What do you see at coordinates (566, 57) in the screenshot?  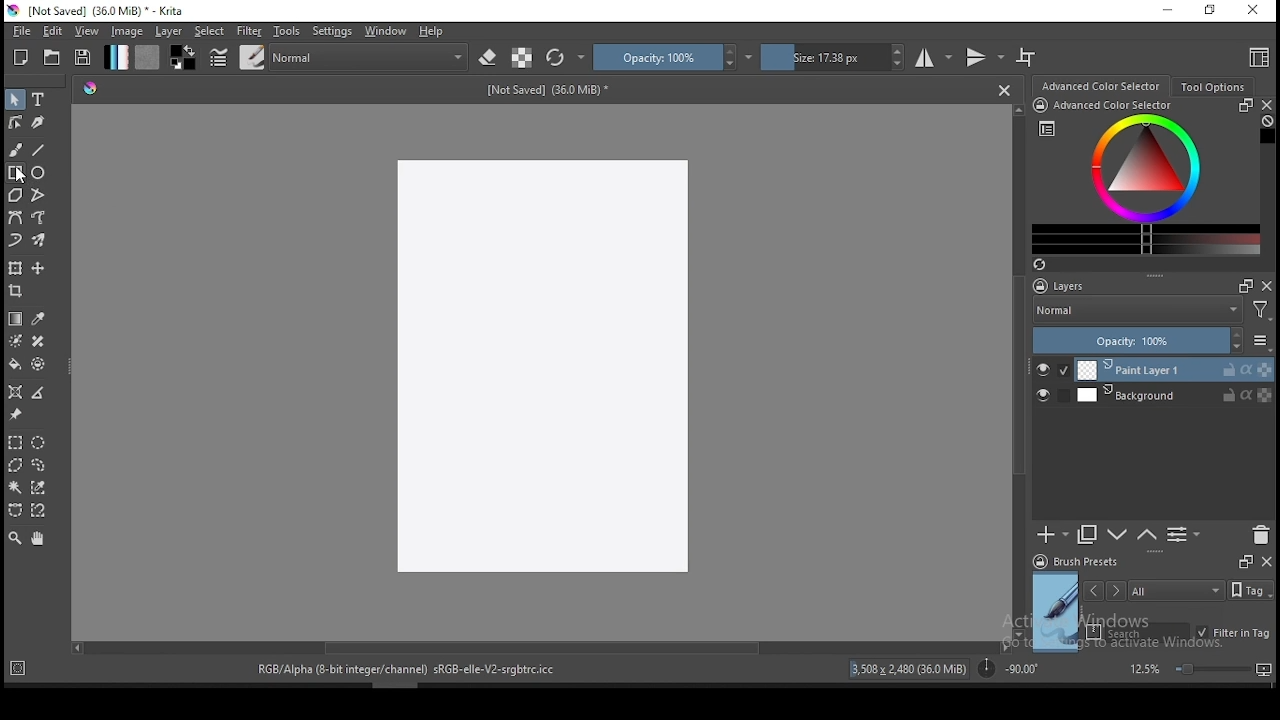 I see `reload original preset` at bounding box center [566, 57].